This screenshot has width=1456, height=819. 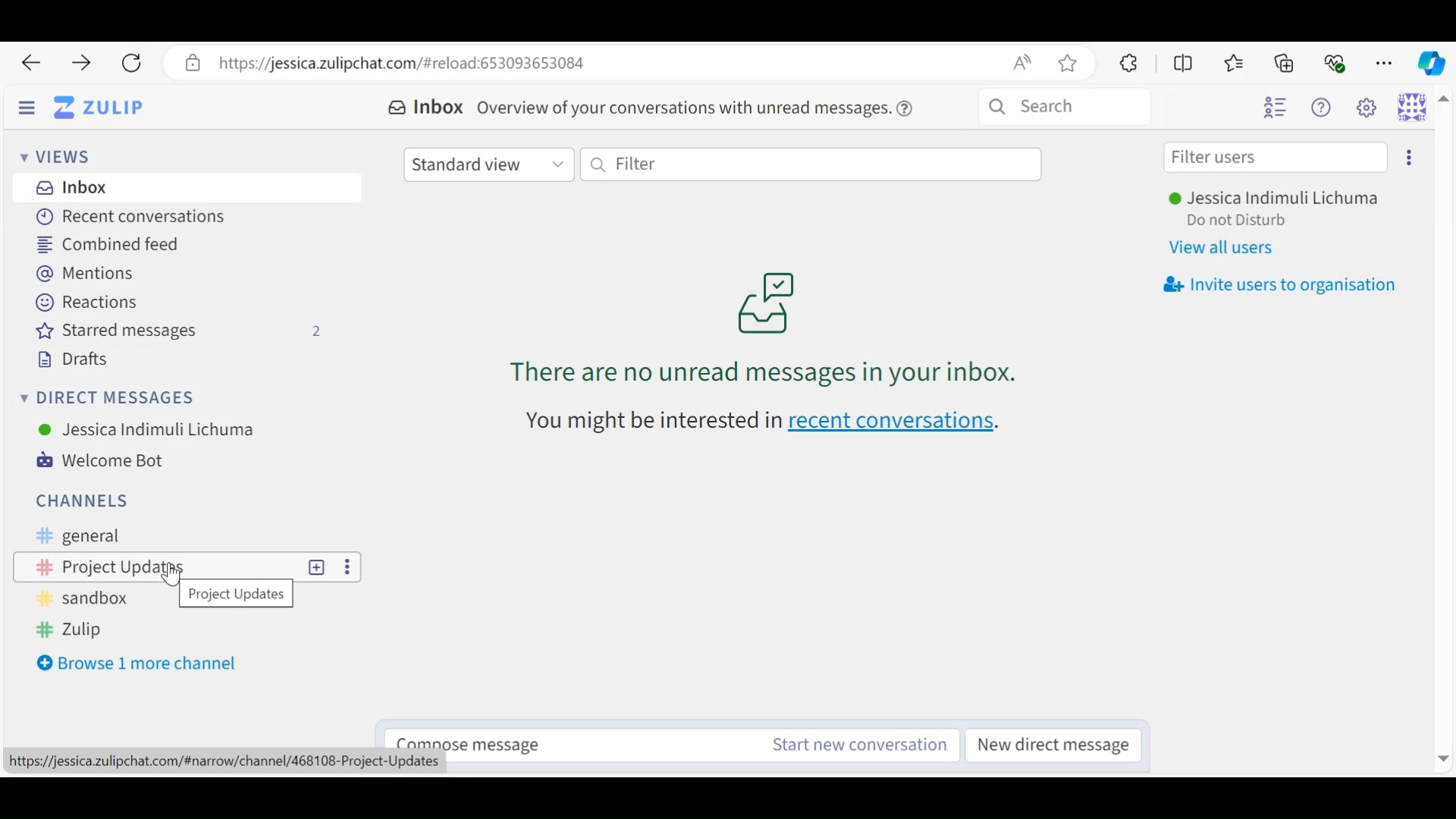 I want to click on Channels, so click(x=80, y=499).